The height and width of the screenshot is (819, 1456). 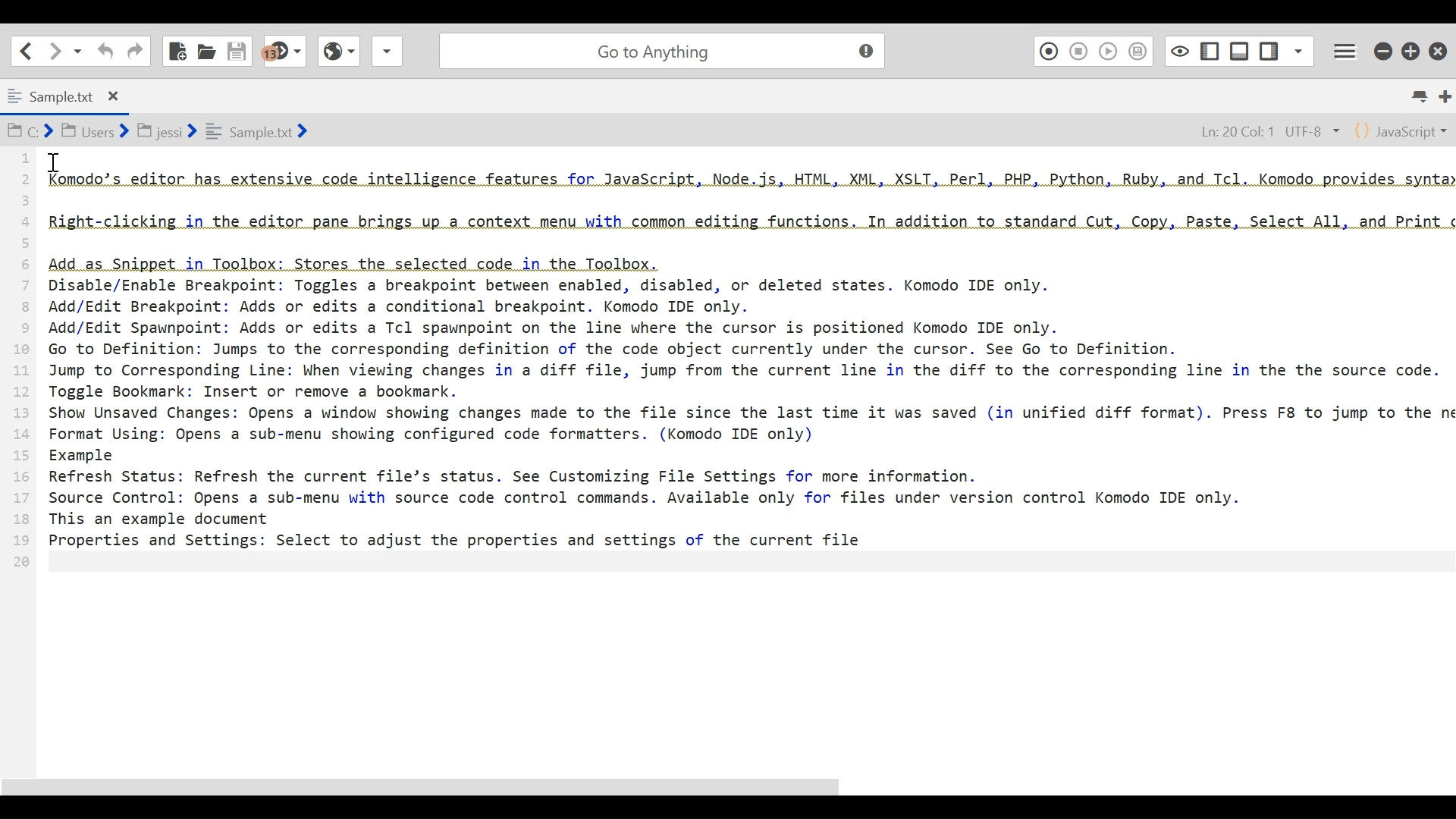 What do you see at coordinates (1412, 49) in the screenshot?
I see `Restore` at bounding box center [1412, 49].